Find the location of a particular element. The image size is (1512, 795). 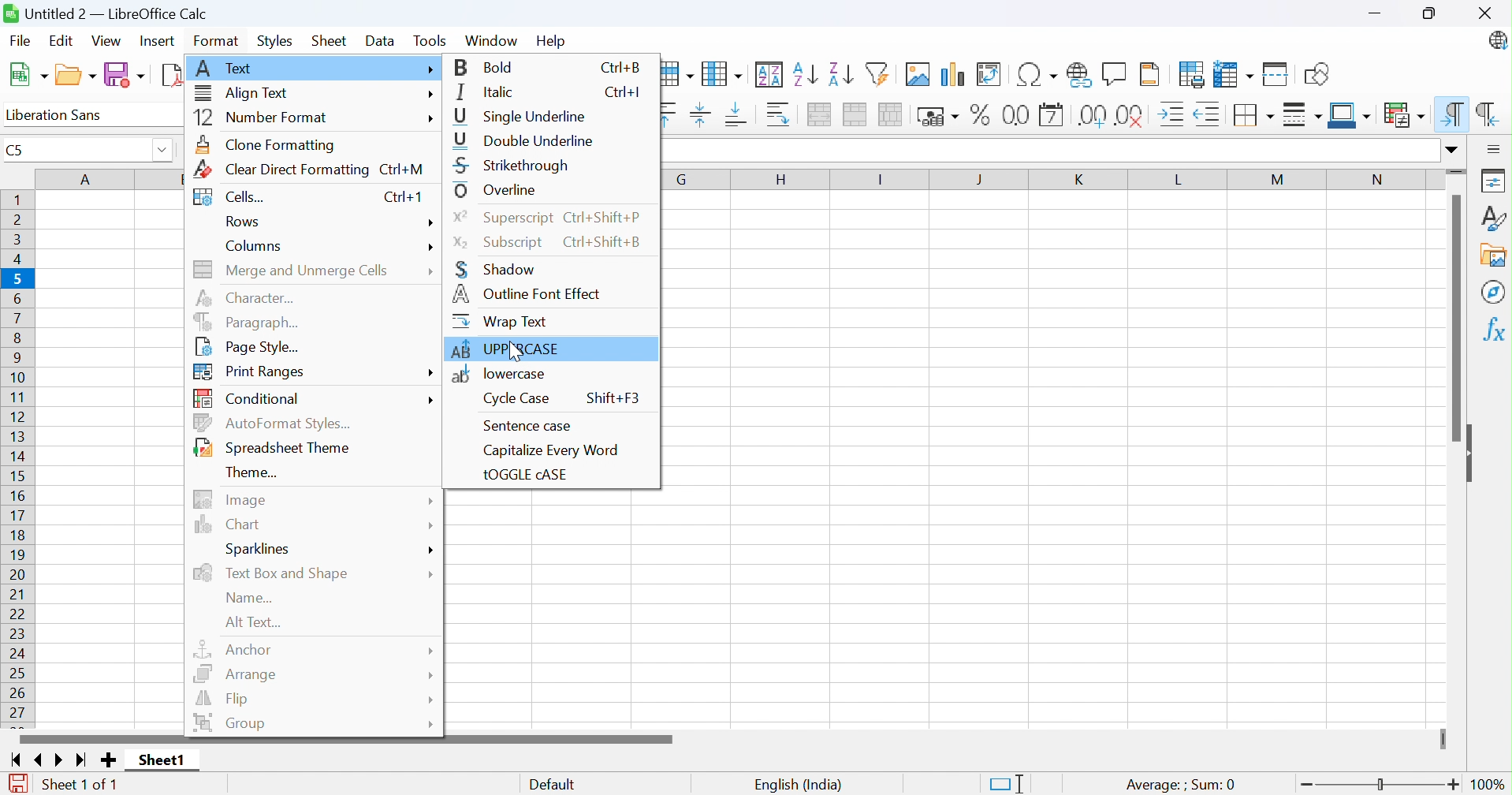

Cycle case is located at coordinates (513, 400).